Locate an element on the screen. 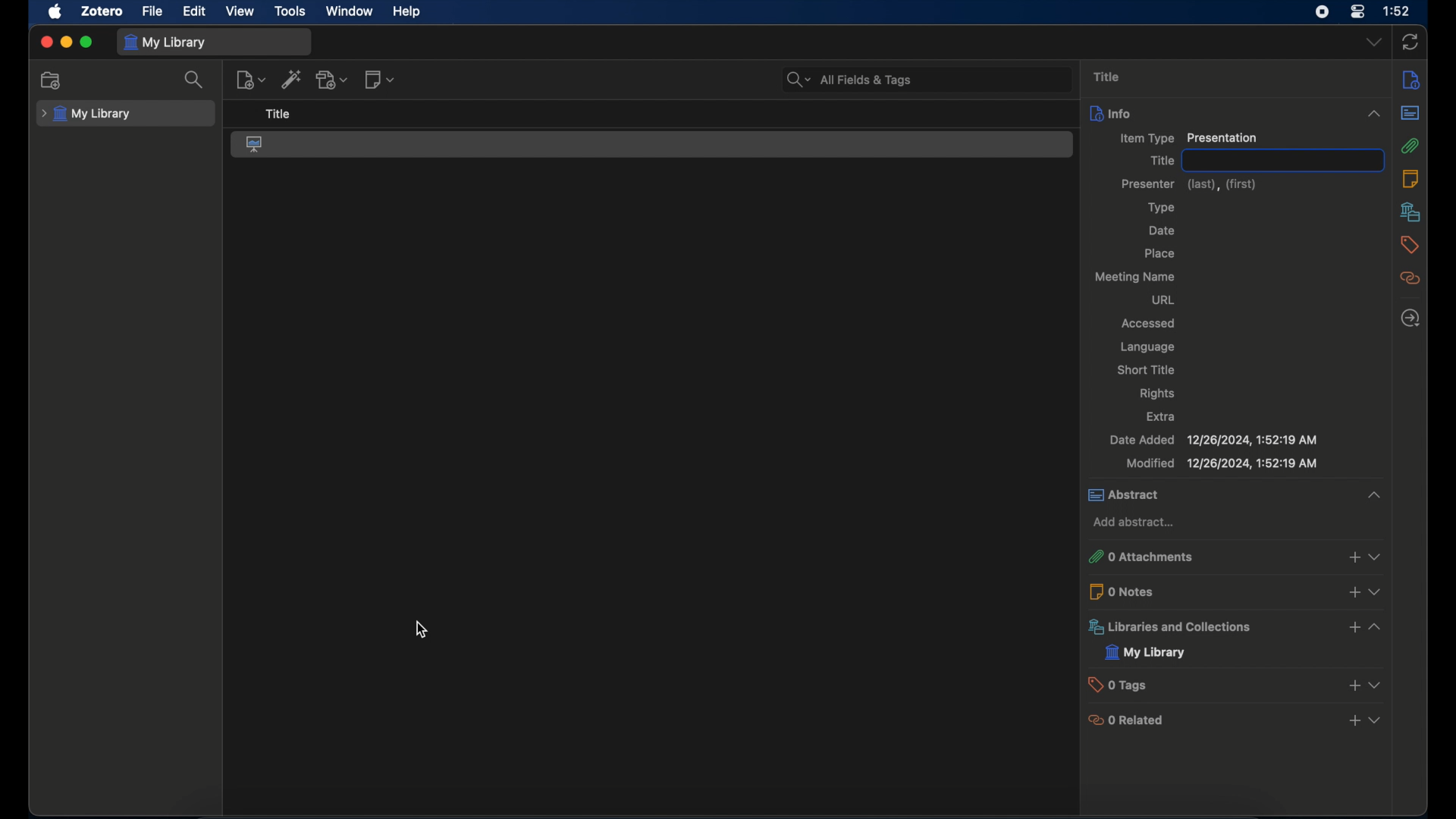  title is located at coordinates (1161, 161).